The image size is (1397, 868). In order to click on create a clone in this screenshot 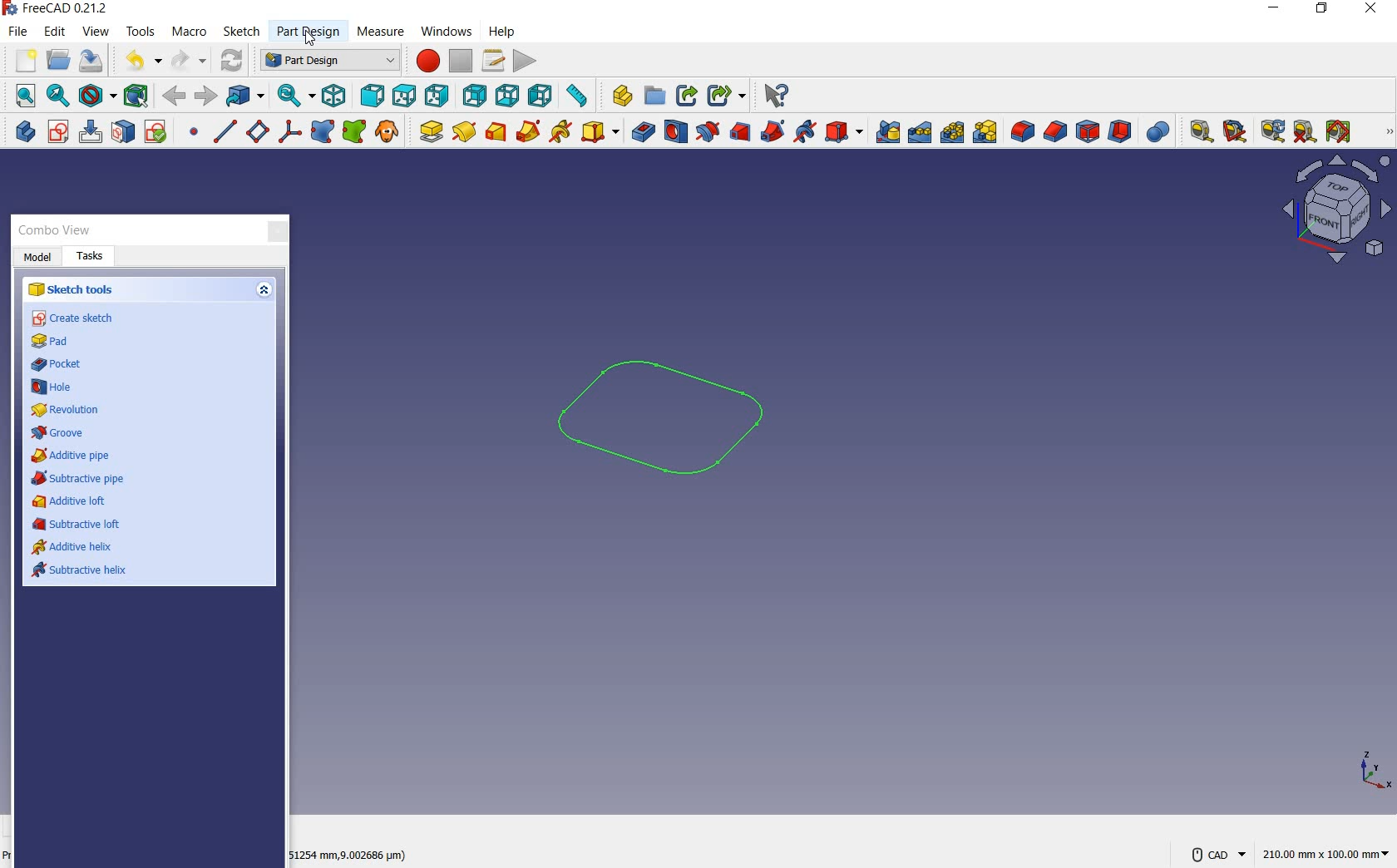, I will do `click(388, 131)`.